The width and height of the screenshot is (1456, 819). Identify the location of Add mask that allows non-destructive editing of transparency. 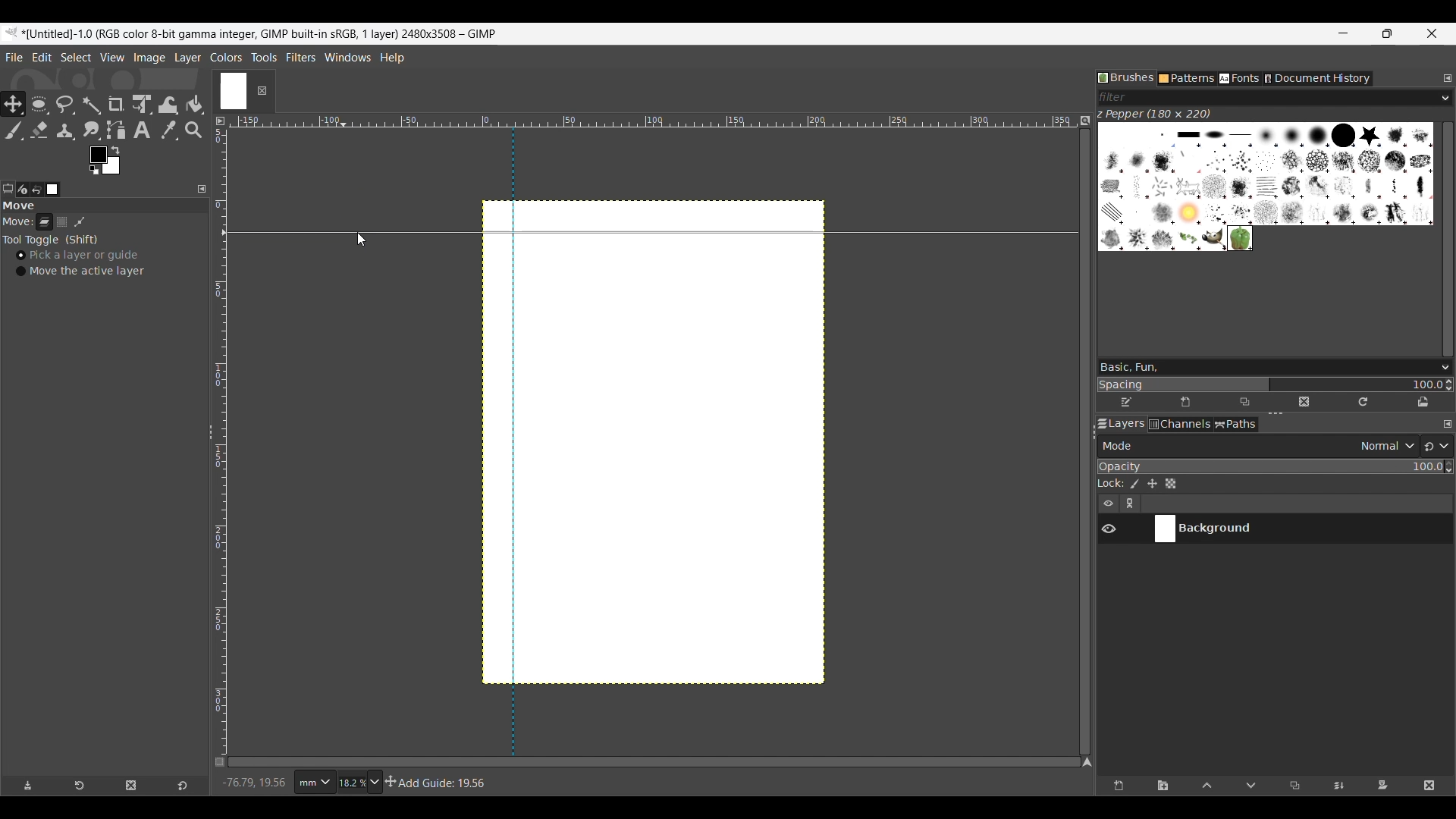
(1382, 786).